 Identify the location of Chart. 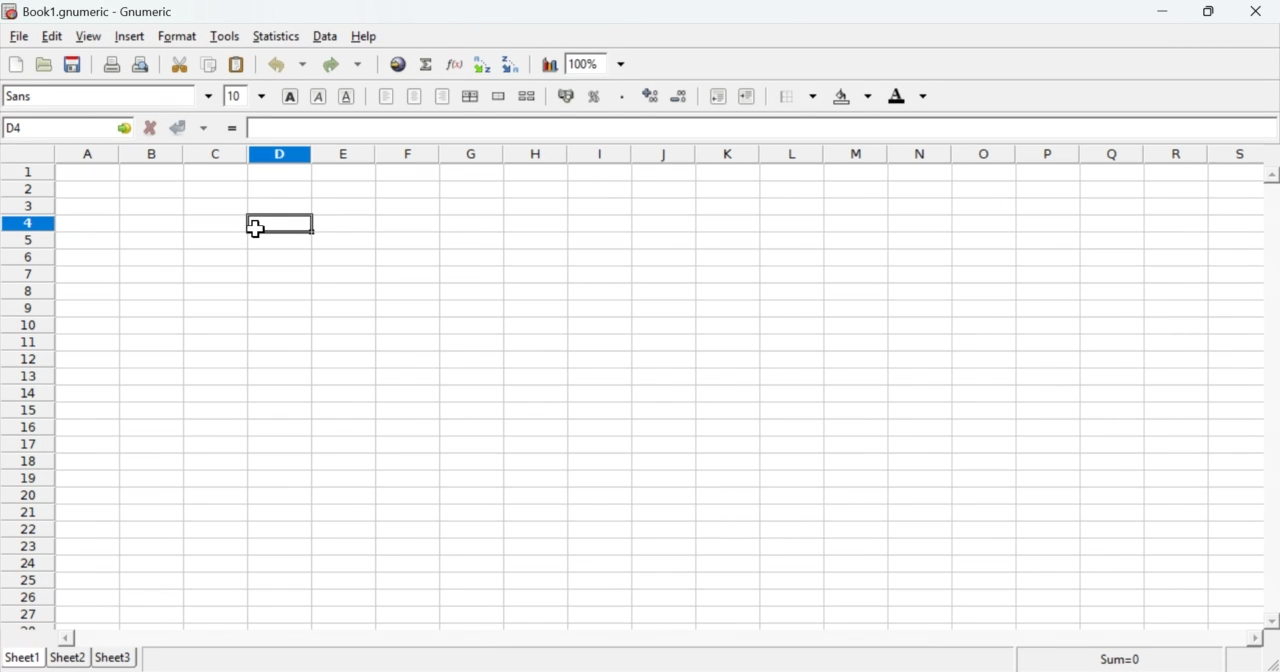
(551, 65).